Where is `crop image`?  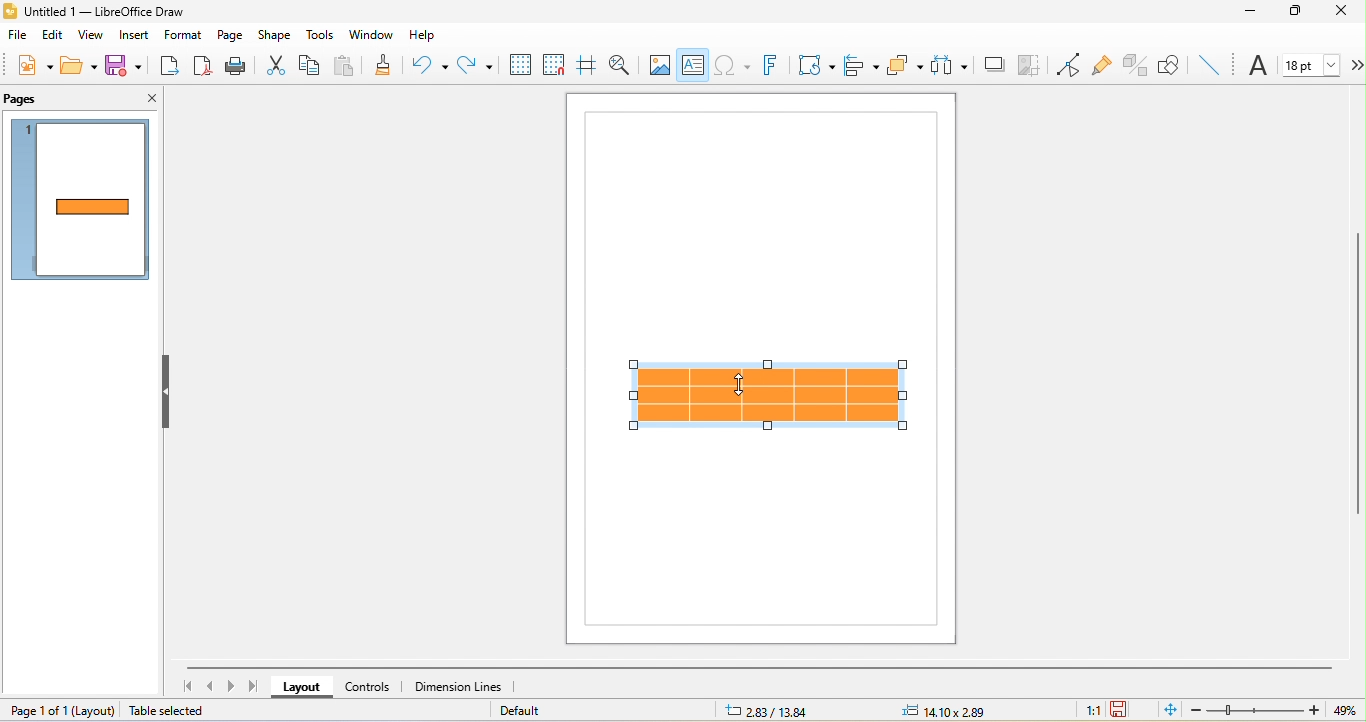 crop image is located at coordinates (1031, 65).